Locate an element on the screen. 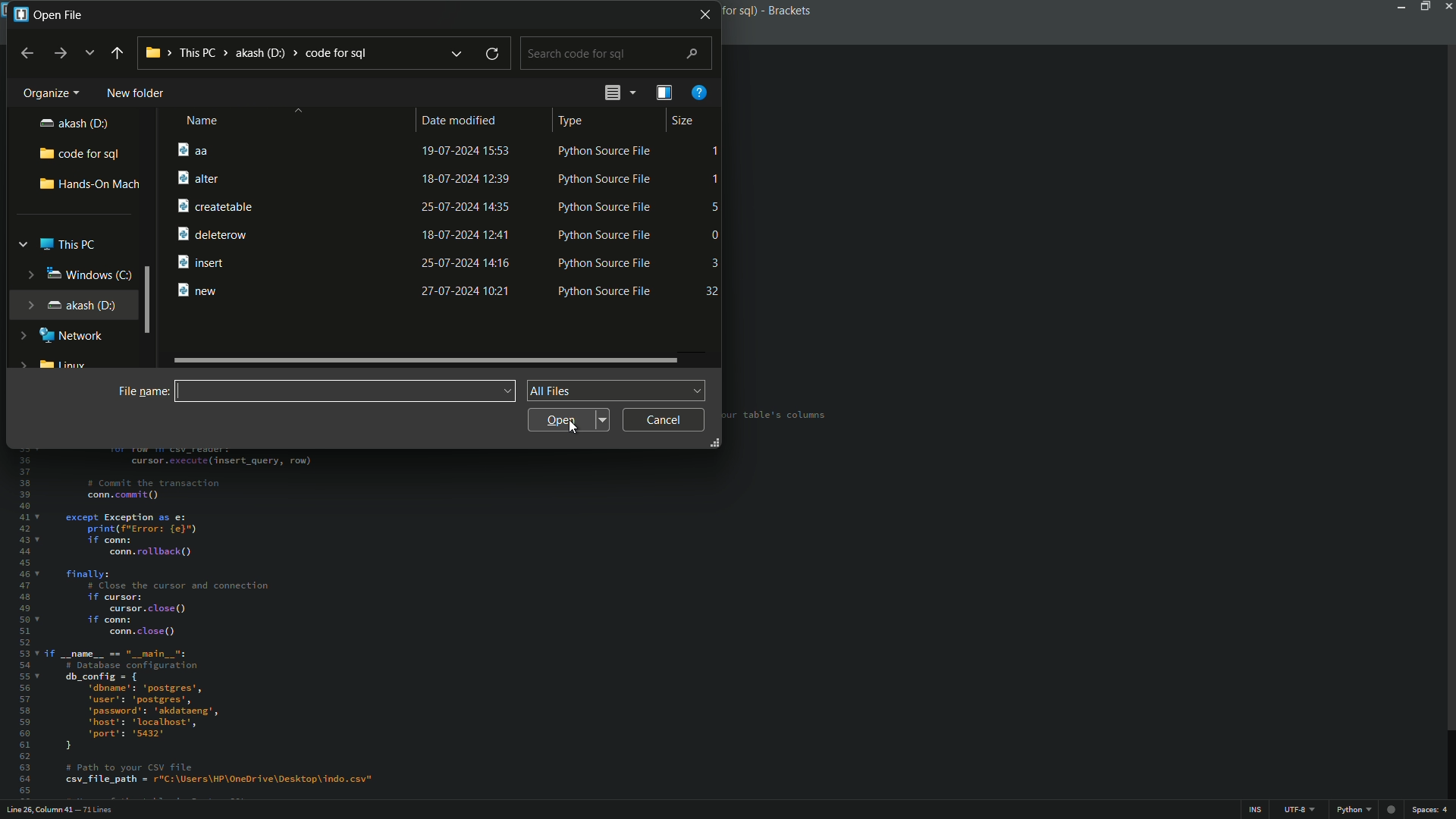  number of lines is located at coordinates (98, 809).